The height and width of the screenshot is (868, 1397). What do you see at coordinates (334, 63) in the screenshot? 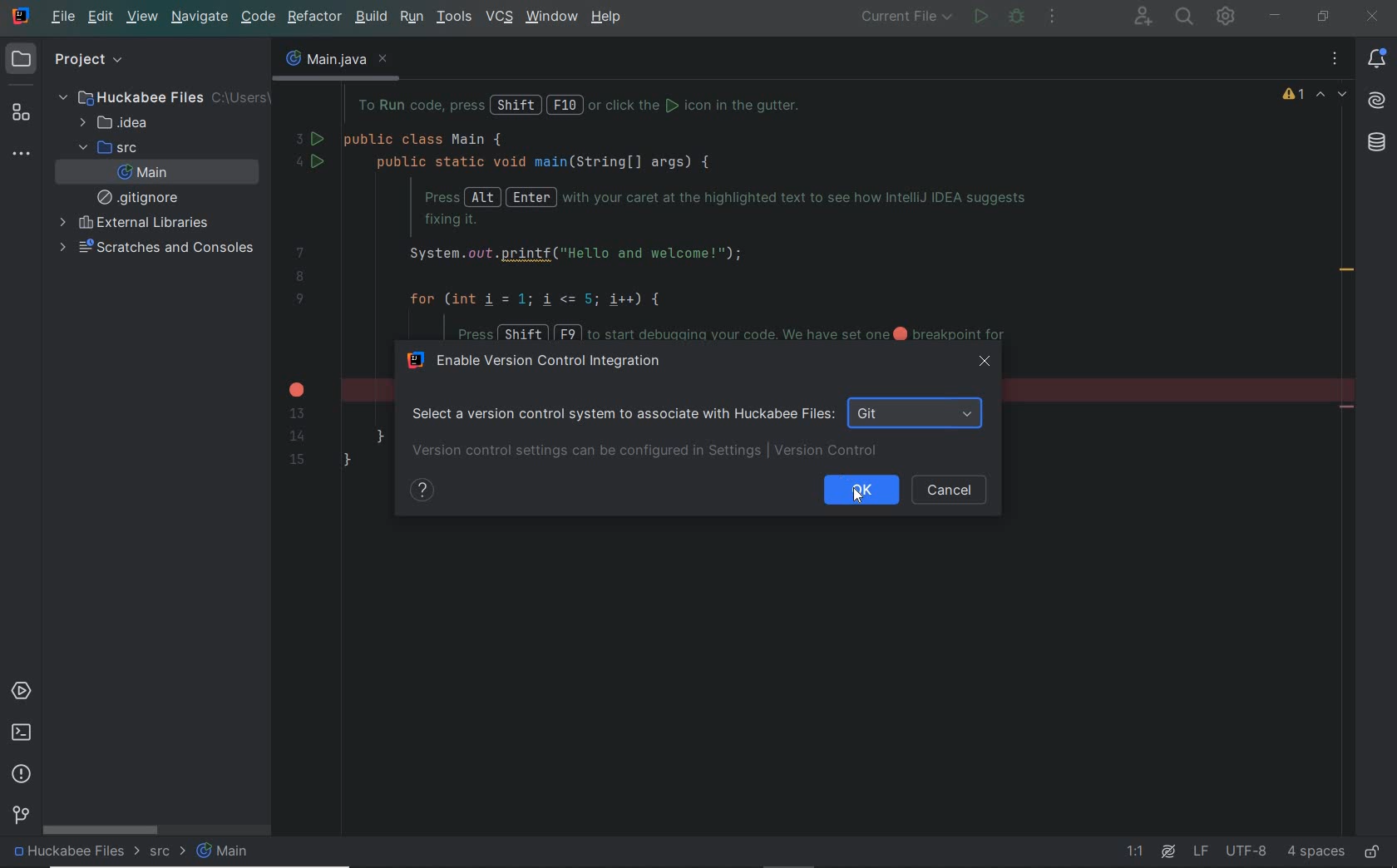
I see `main.java` at bounding box center [334, 63].